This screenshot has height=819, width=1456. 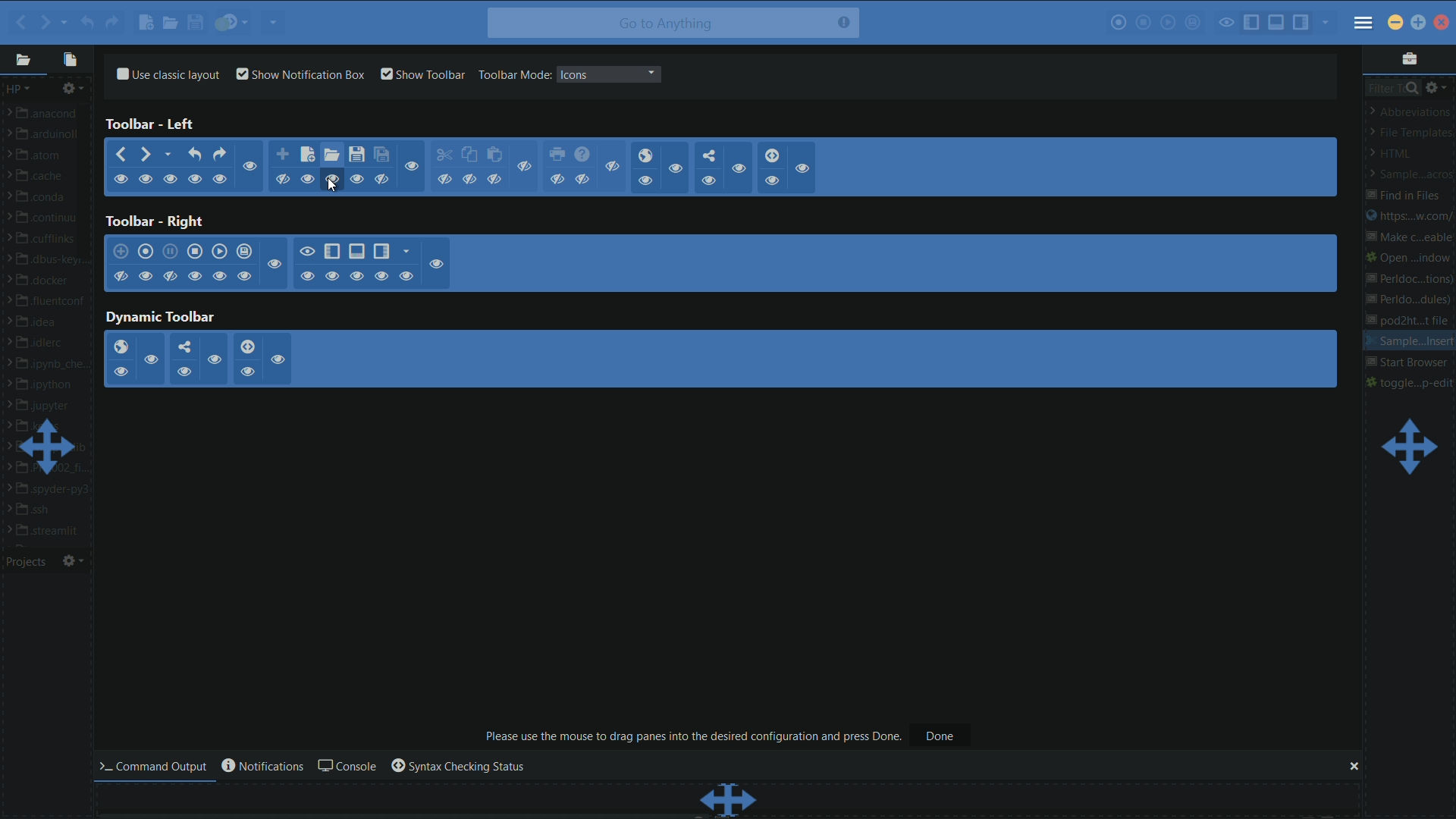 What do you see at coordinates (44, 20) in the screenshot?
I see `forward` at bounding box center [44, 20].